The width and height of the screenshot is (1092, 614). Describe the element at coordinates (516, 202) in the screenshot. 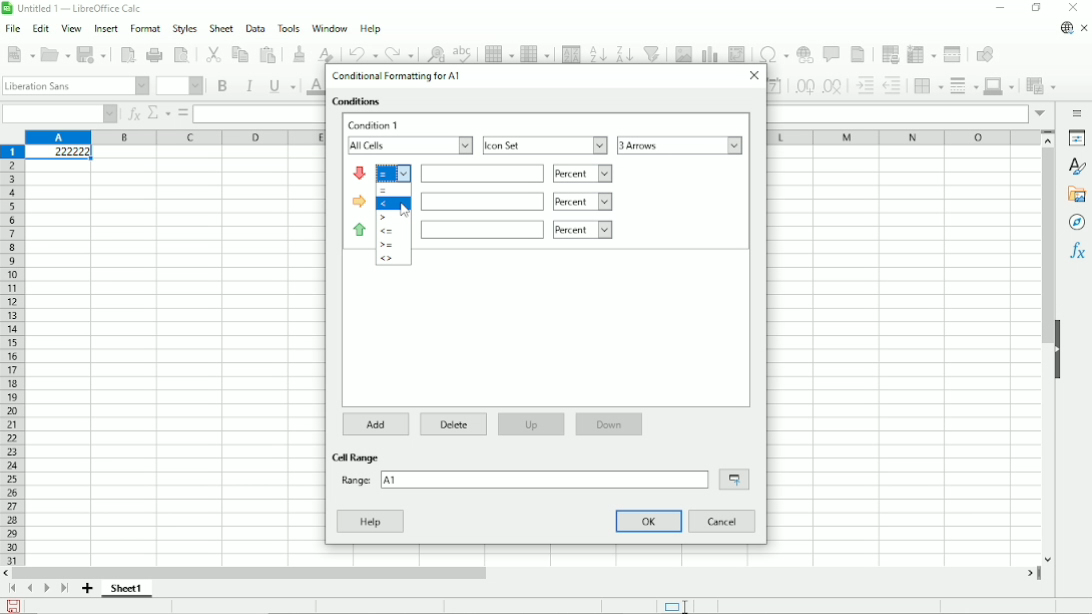

I see `percent` at that location.